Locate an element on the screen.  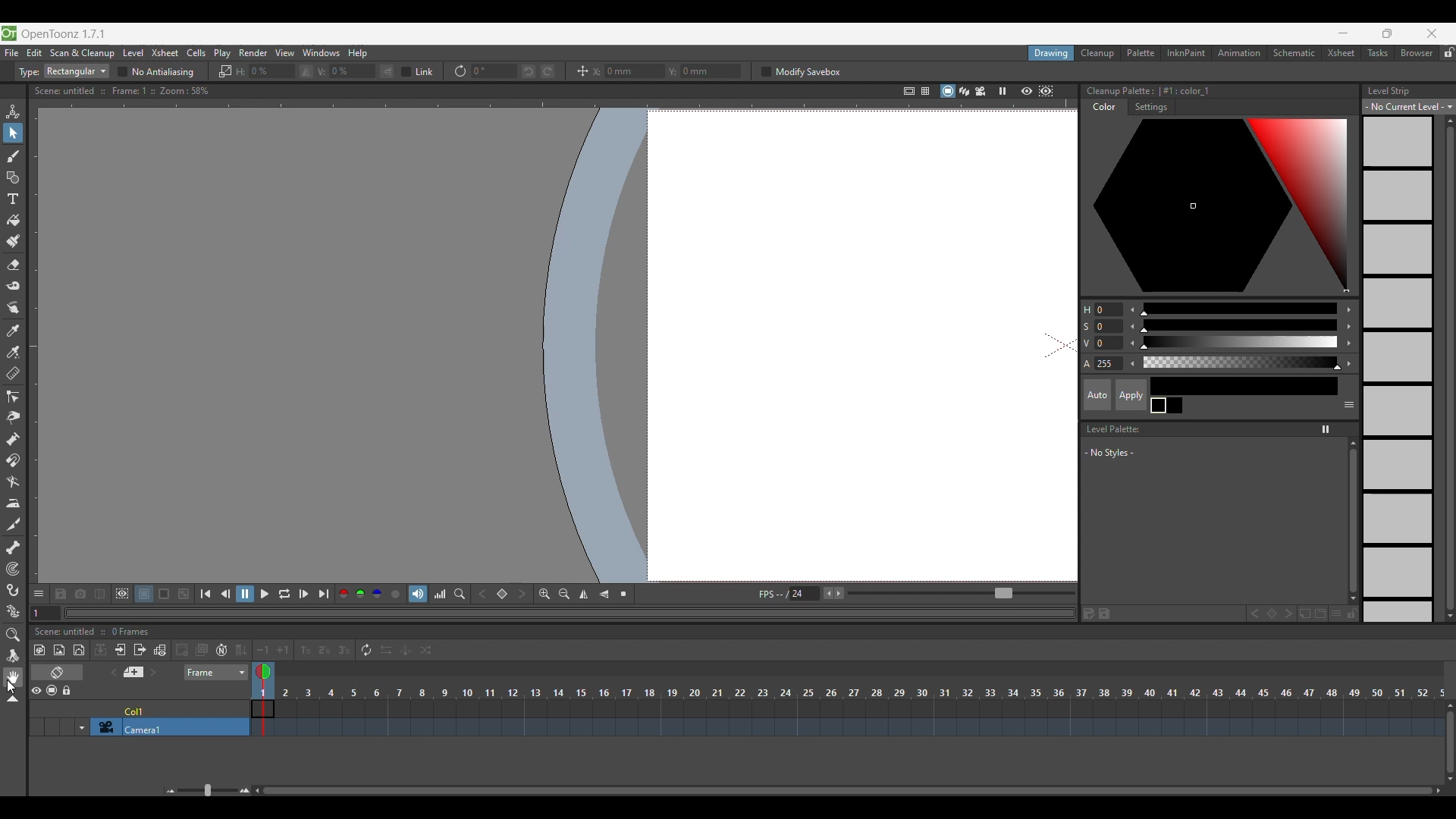
Freeze is located at coordinates (1003, 91).